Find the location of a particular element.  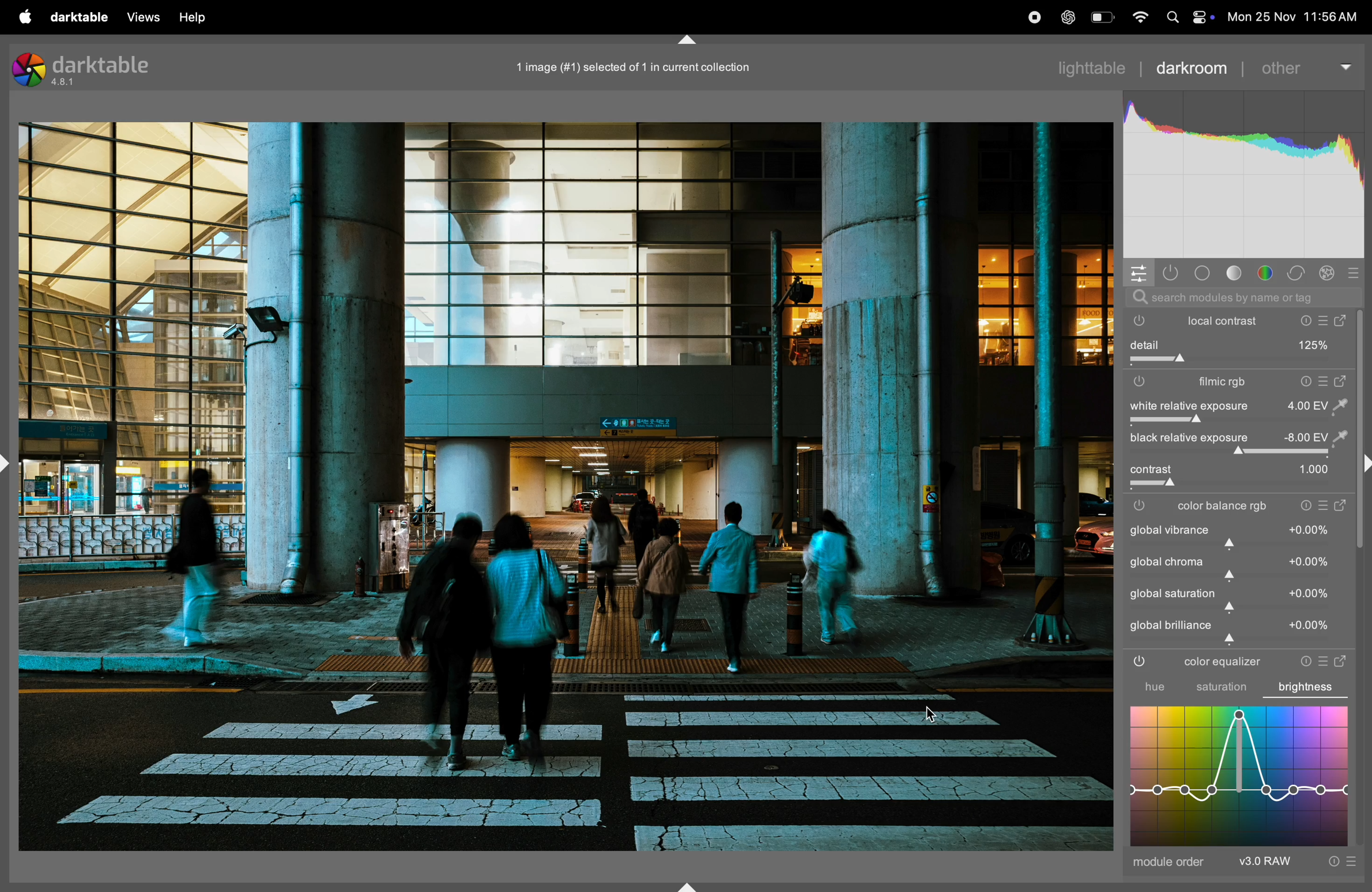

global saturation is located at coordinates (1173, 593).